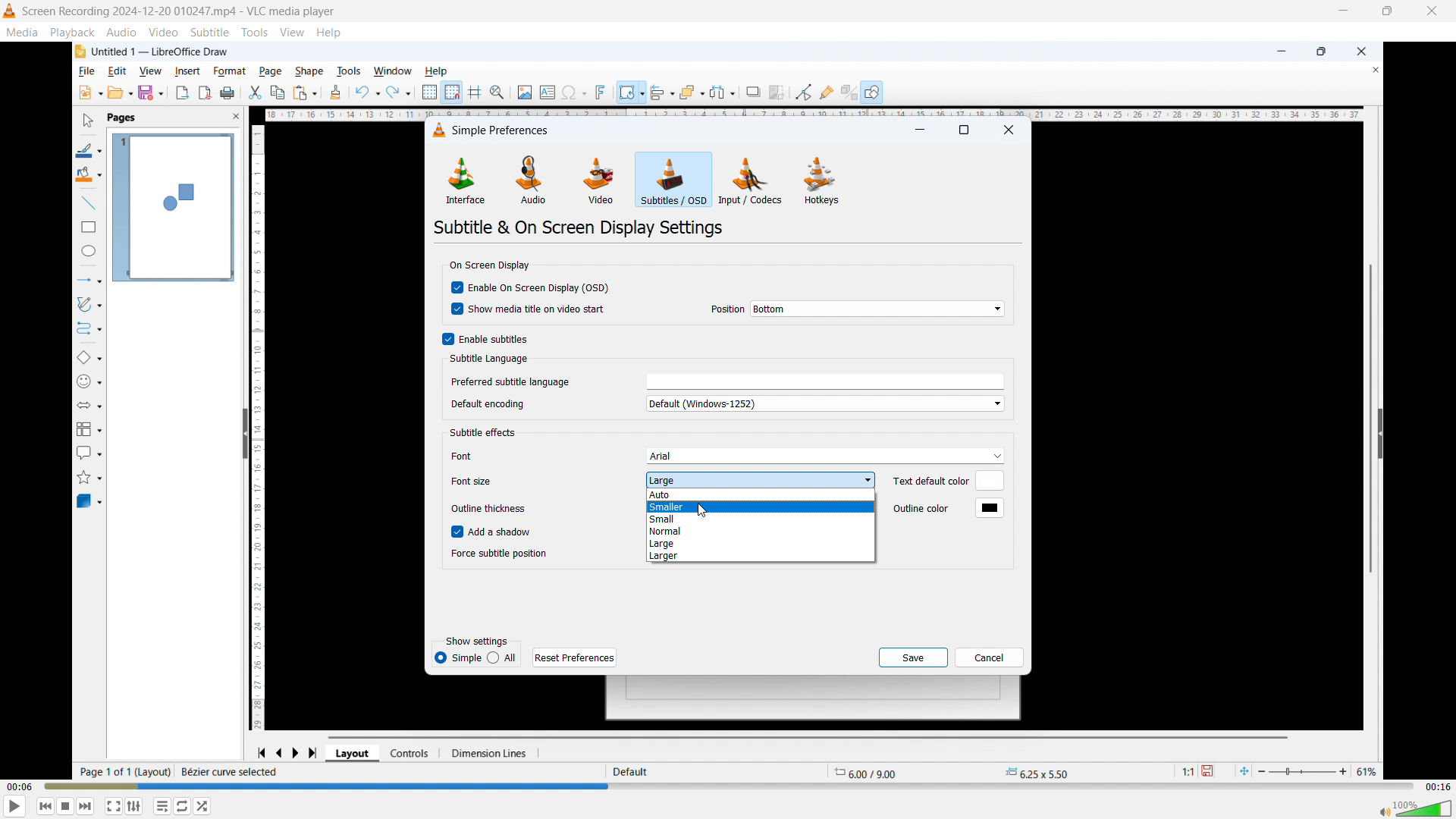 Image resolution: width=1456 pixels, height=819 pixels. What do you see at coordinates (751, 181) in the screenshot?
I see `Input or codecs ` at bounding box center [751, 181].